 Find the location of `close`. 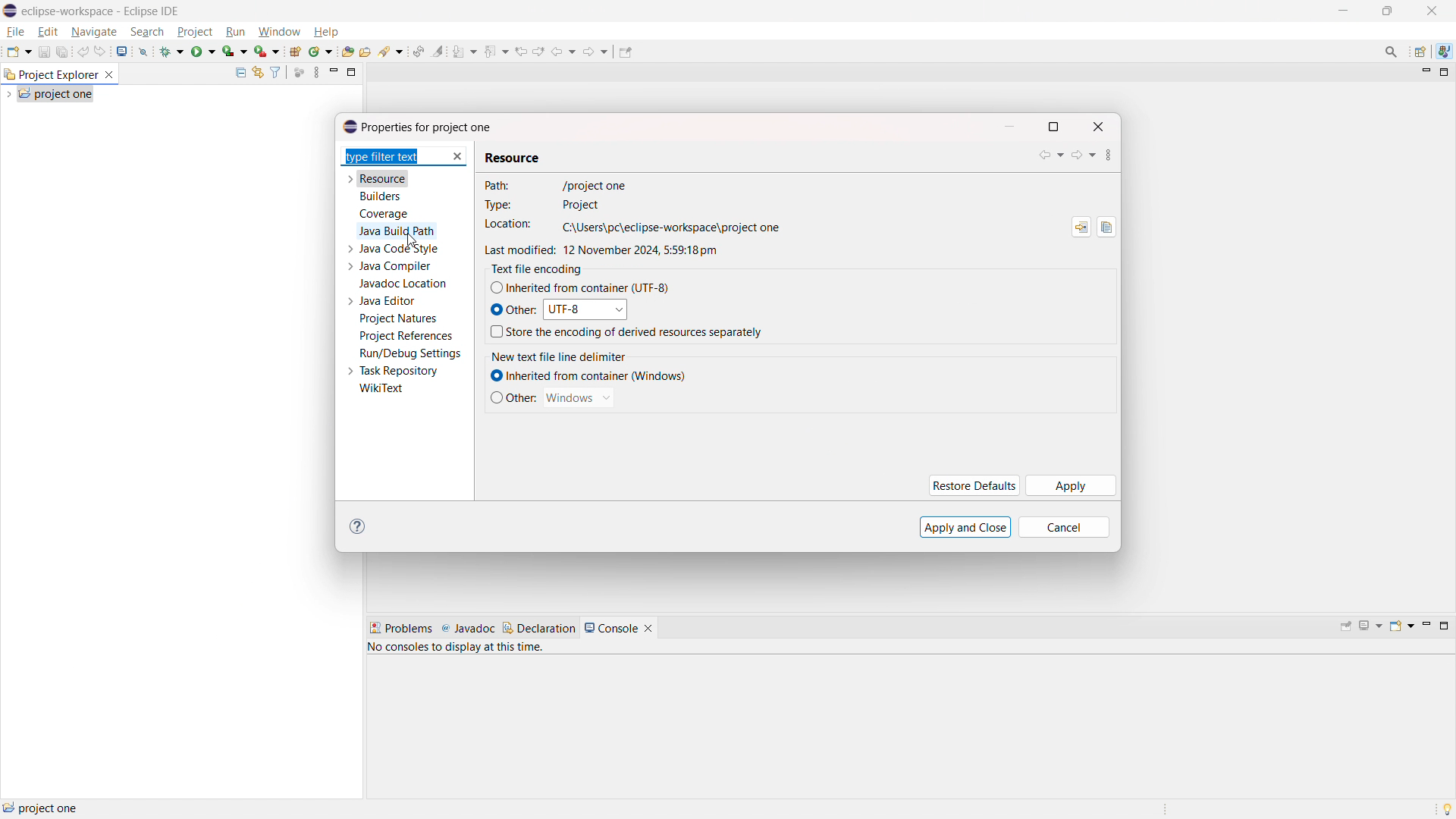

close is located at coordinates (1098, 127).